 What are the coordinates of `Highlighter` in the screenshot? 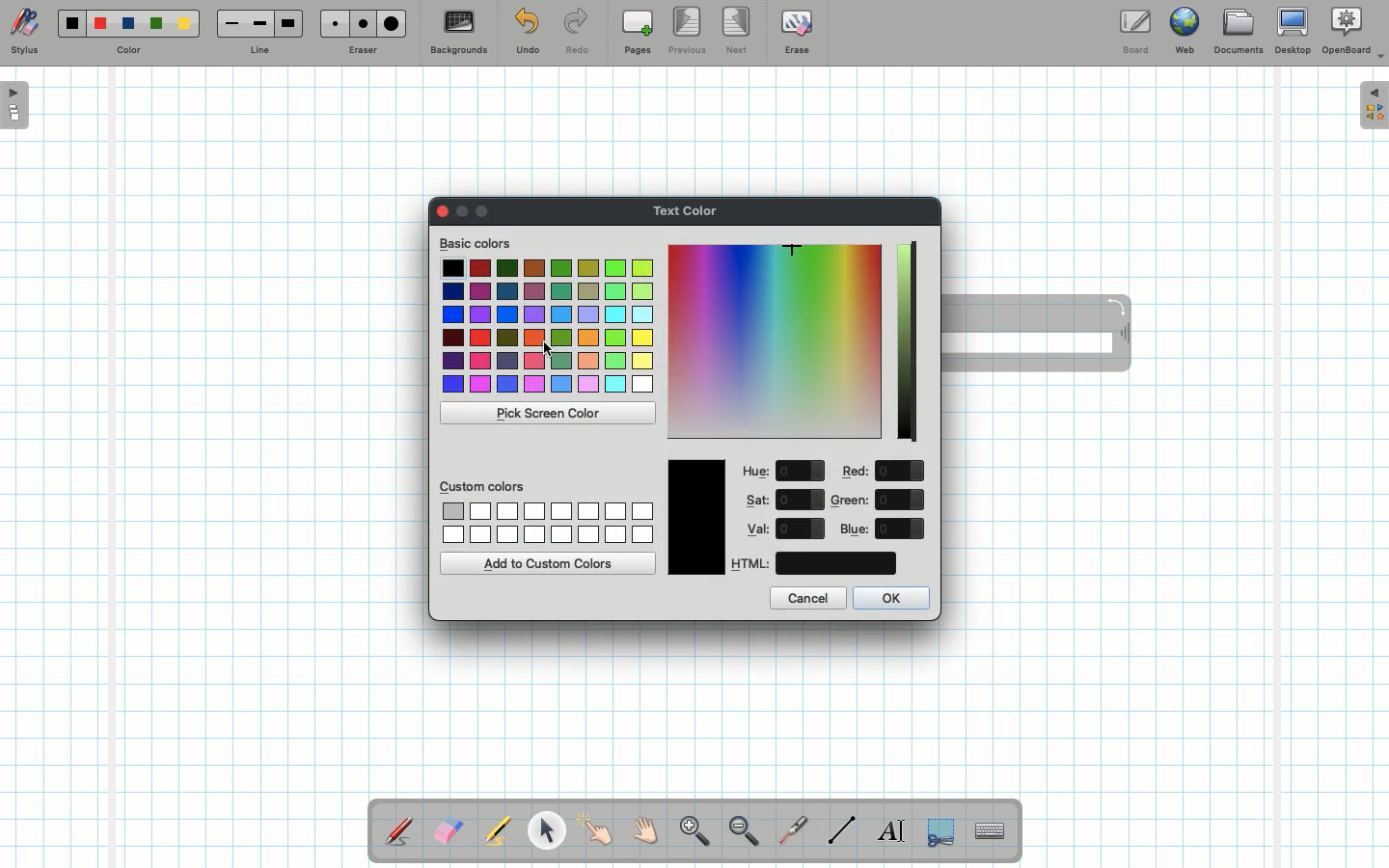 It's located at (496, 832).